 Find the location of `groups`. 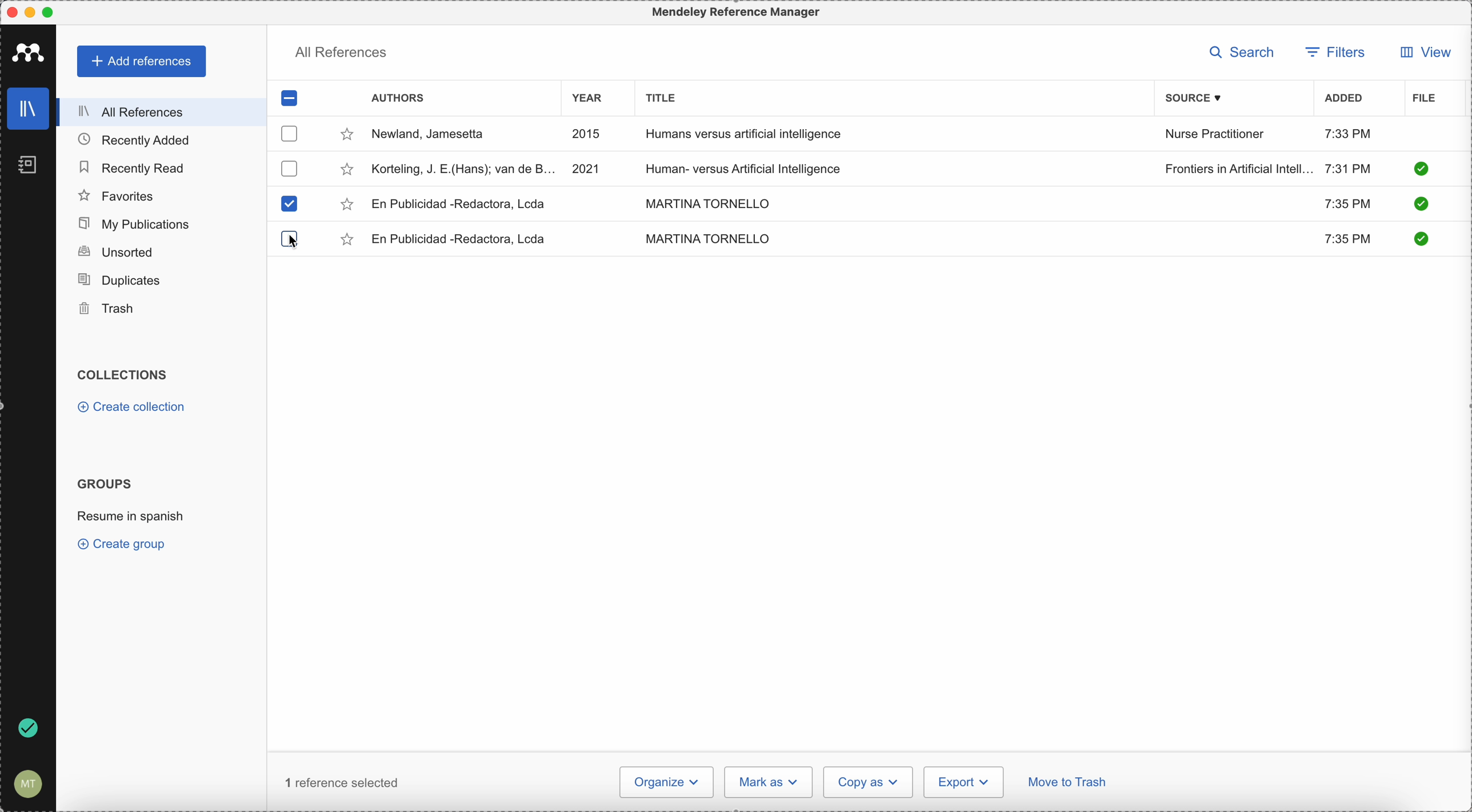

groups is located at coordinates (104, 482).